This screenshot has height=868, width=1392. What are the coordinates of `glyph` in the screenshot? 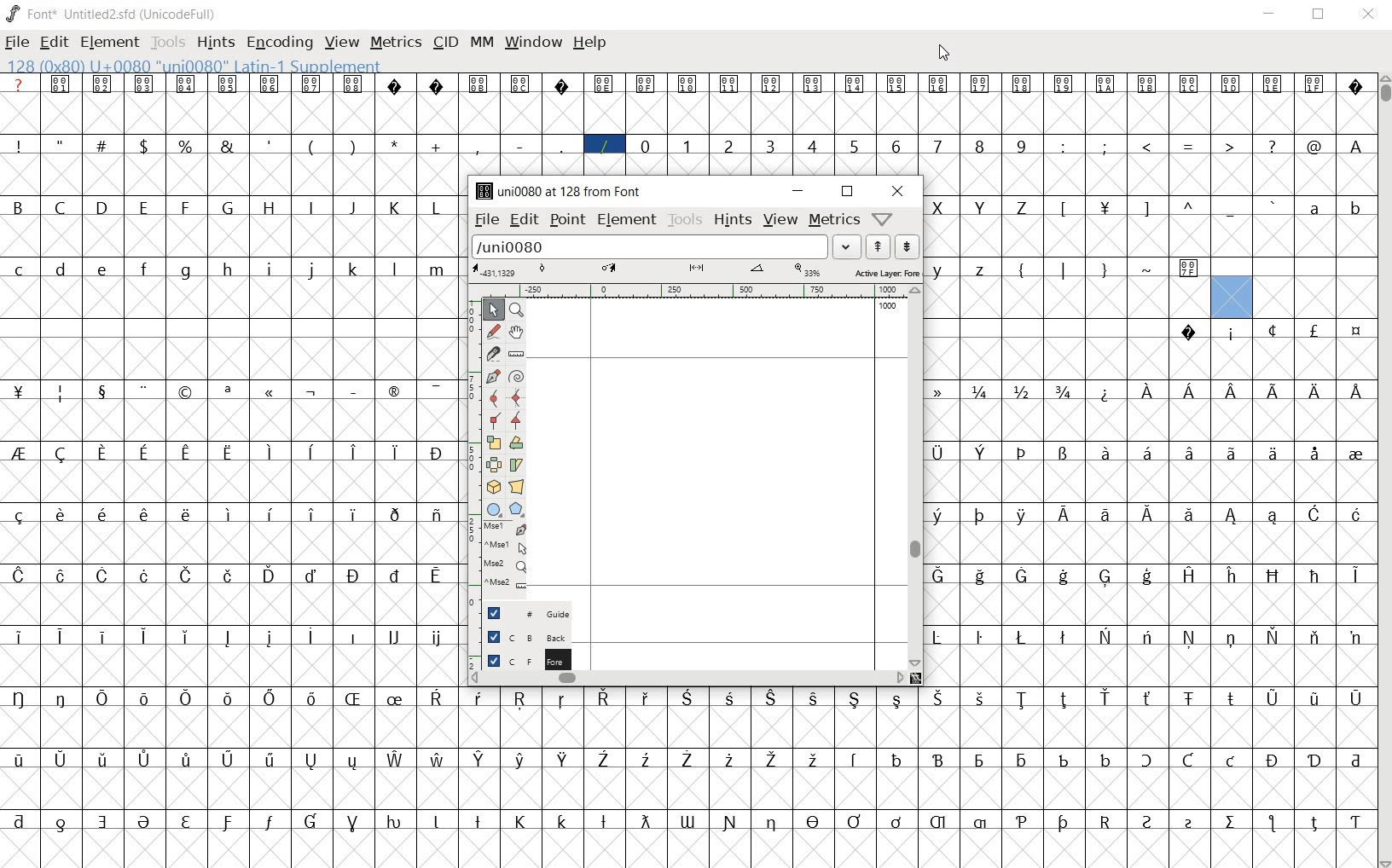 It's located at (1315, 637).